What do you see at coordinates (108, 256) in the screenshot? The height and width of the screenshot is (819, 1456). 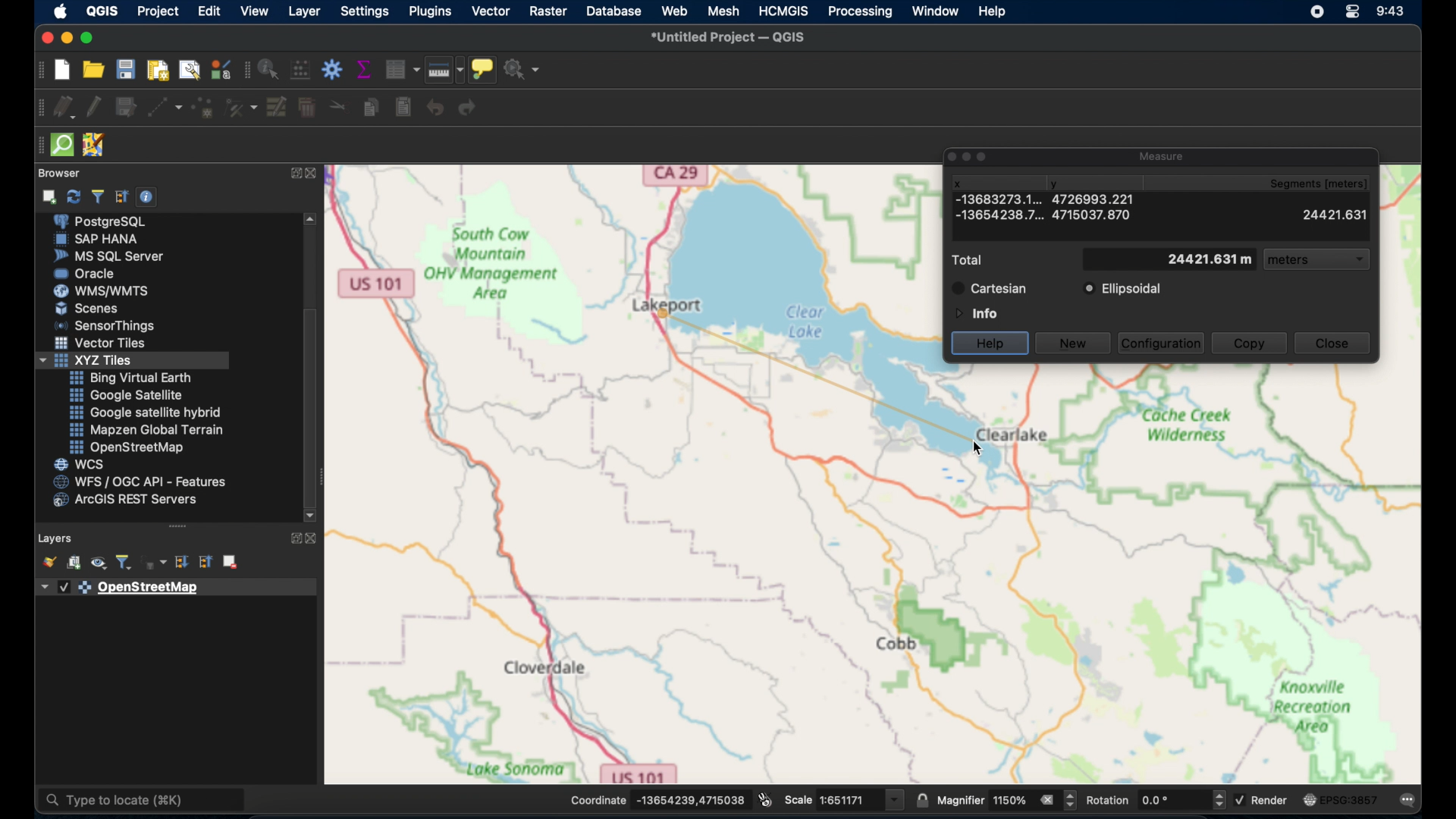 I see `ms sql server` at bounding box center [108, 256].